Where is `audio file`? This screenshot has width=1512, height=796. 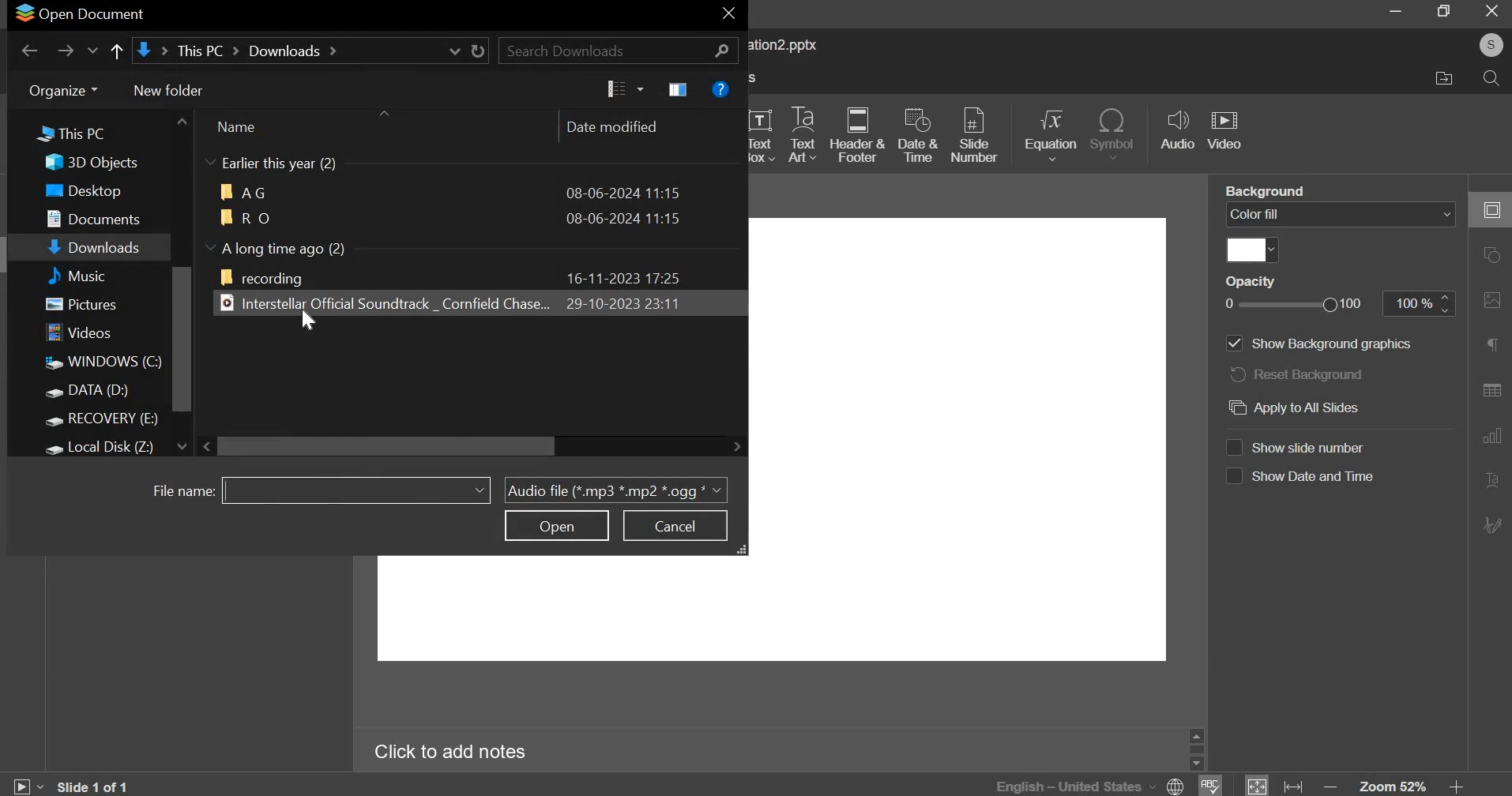 audio file is located at coordinates (382, 302).